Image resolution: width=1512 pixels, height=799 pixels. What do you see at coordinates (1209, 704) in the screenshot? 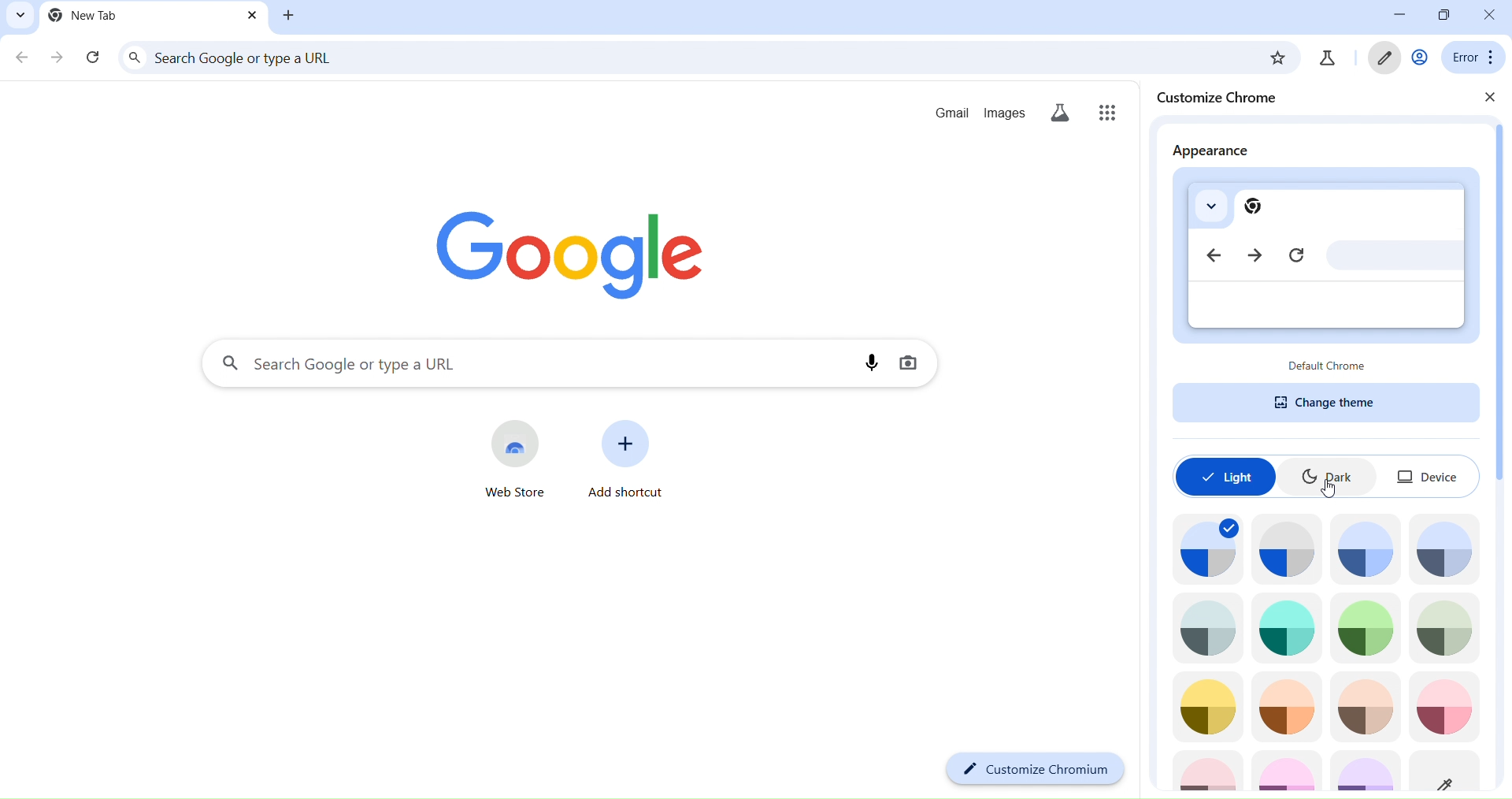
I see `theme icon` at bounding box center [1209, 704].